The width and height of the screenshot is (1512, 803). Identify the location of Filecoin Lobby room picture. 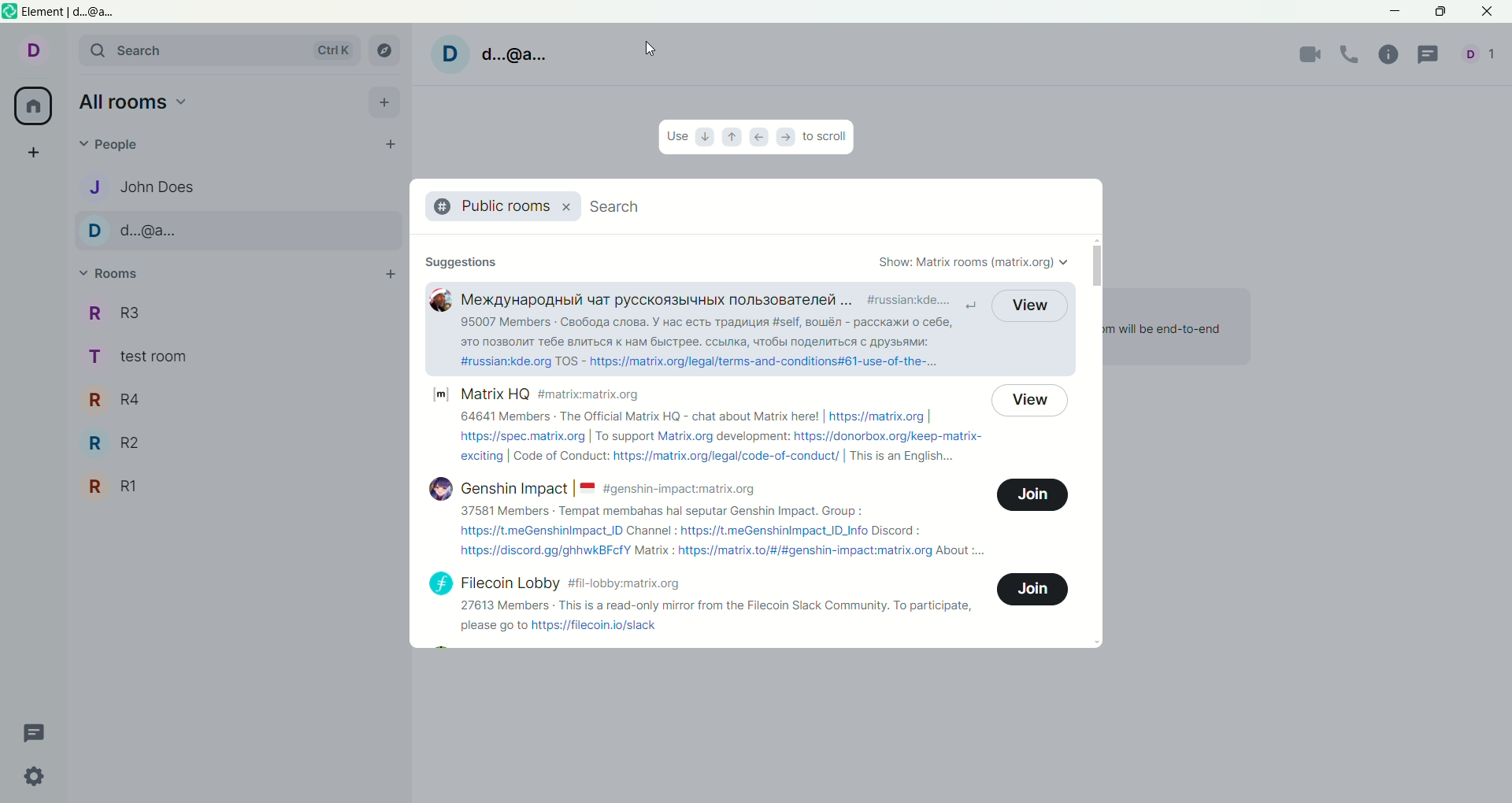
(441, 583).